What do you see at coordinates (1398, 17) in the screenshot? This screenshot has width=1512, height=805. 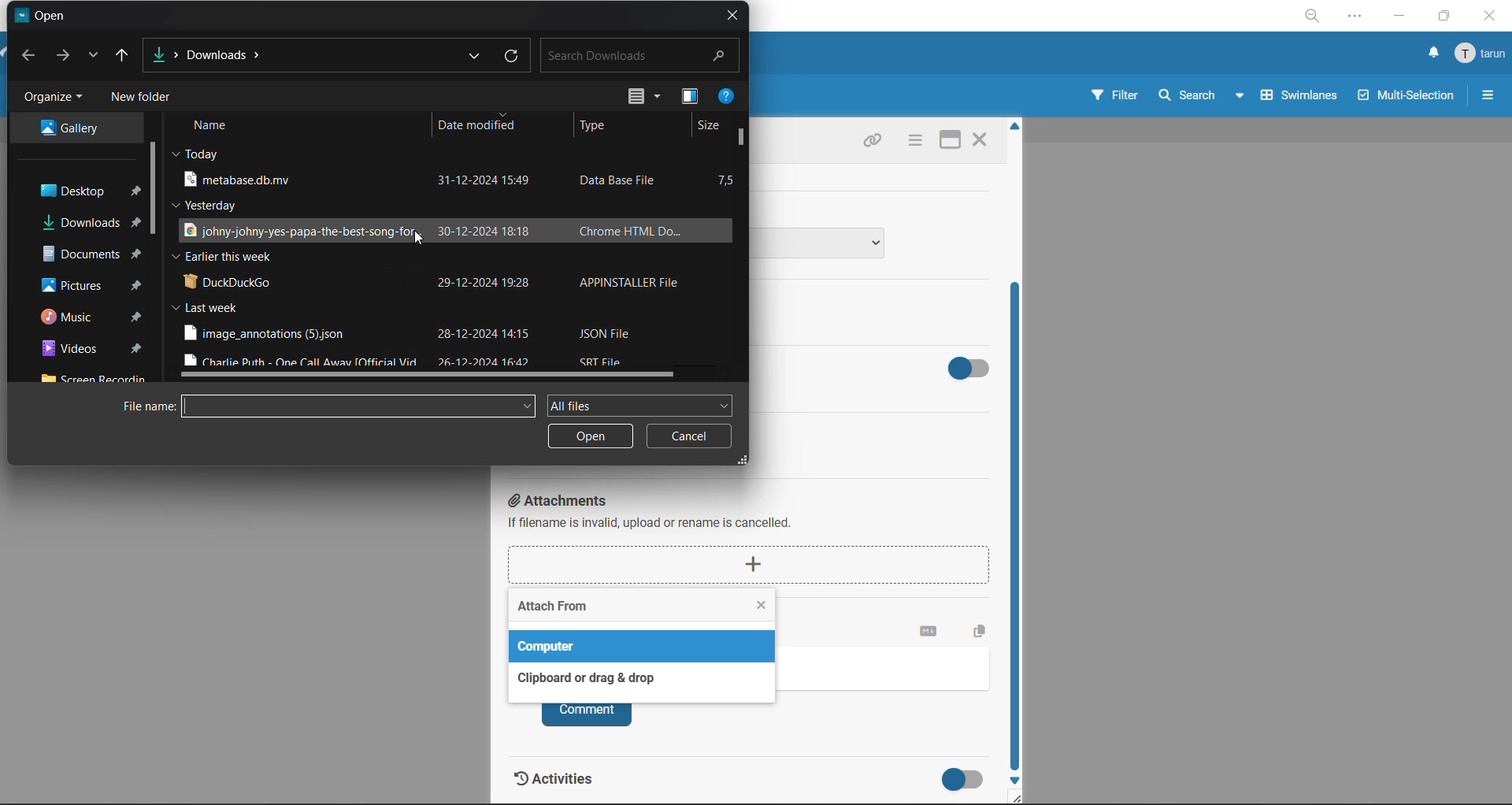 I see `minimize` at bounding box center [1398, 17].